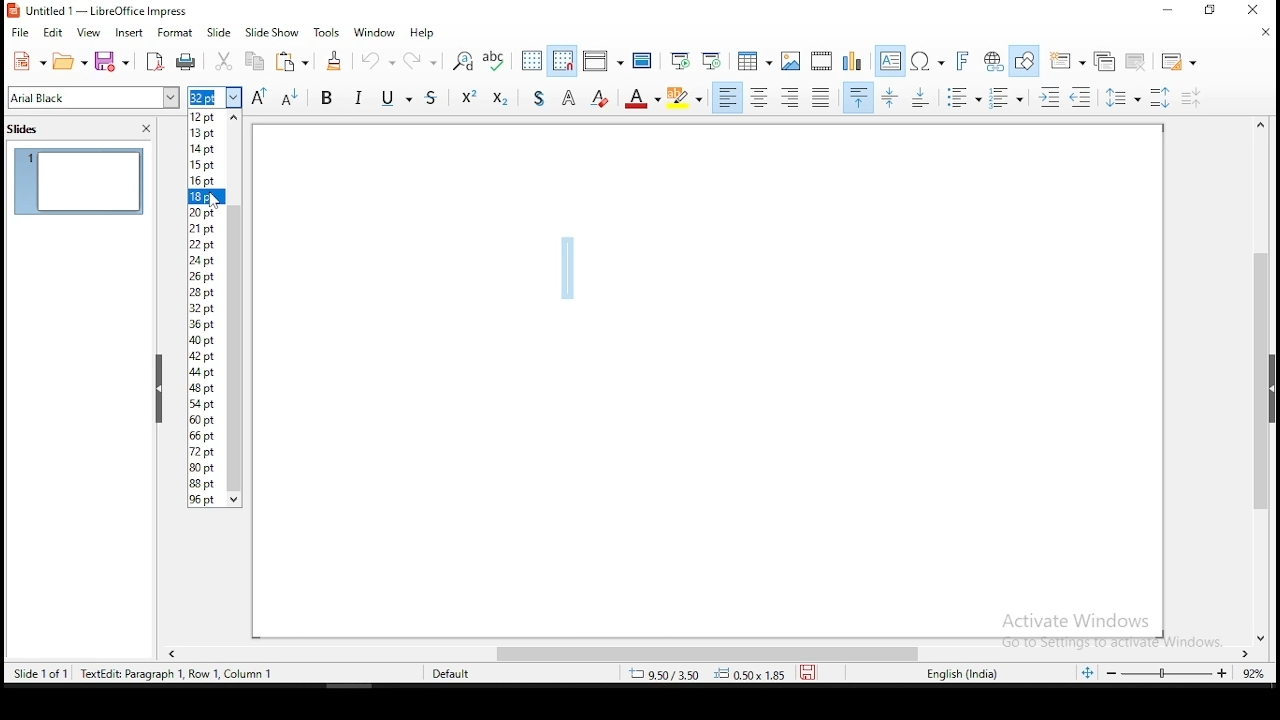 This screenshot has height=720, width=1280. What do you see at coordinates (207, 147) in the screenshot?
I see `15` at bounding box center [207, 147].